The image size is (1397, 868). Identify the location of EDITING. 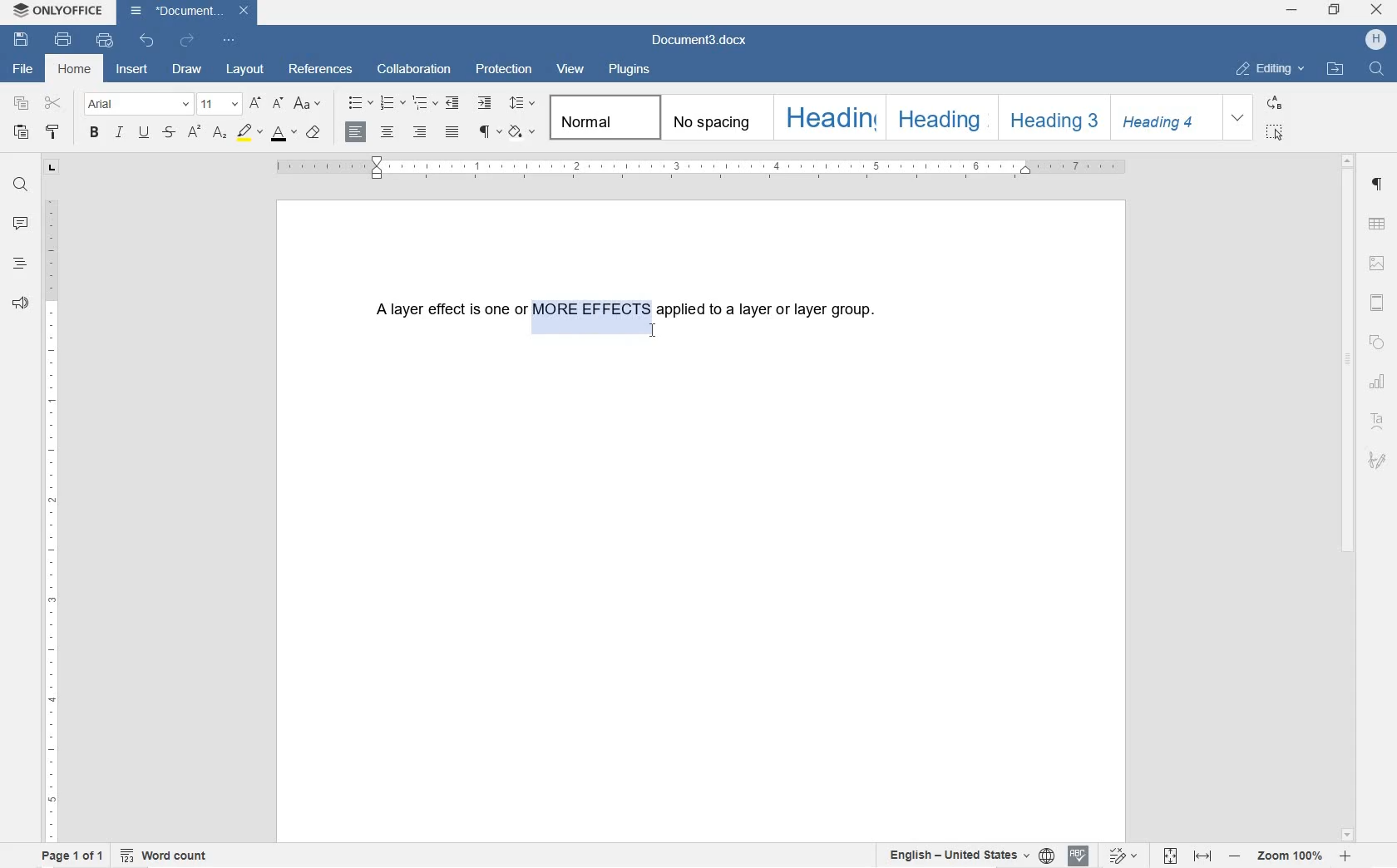
(1271, 65).